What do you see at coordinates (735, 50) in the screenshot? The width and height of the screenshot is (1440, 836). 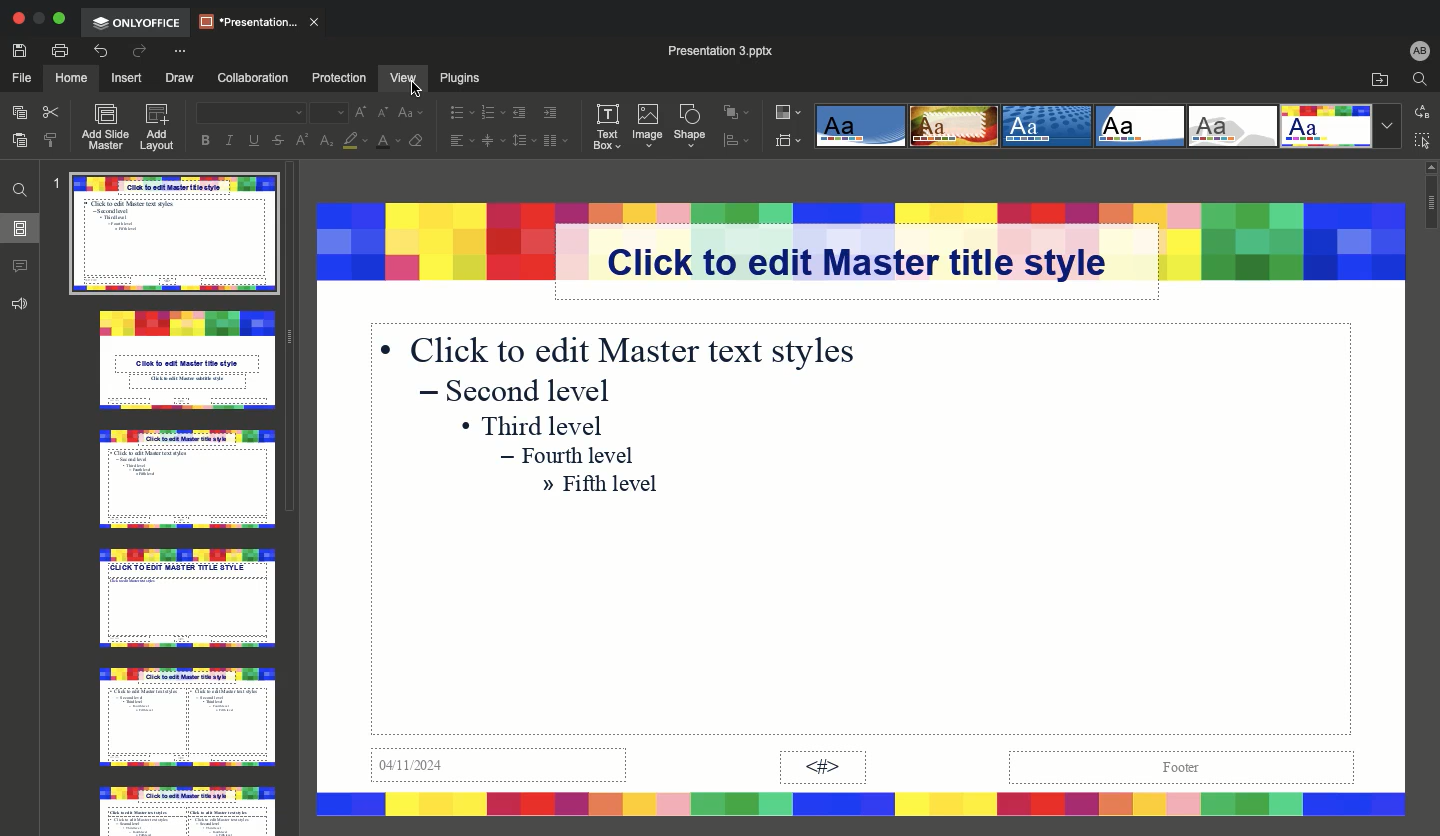 I see `Presentation 3 pptx.` at bounding box center [735, 50].